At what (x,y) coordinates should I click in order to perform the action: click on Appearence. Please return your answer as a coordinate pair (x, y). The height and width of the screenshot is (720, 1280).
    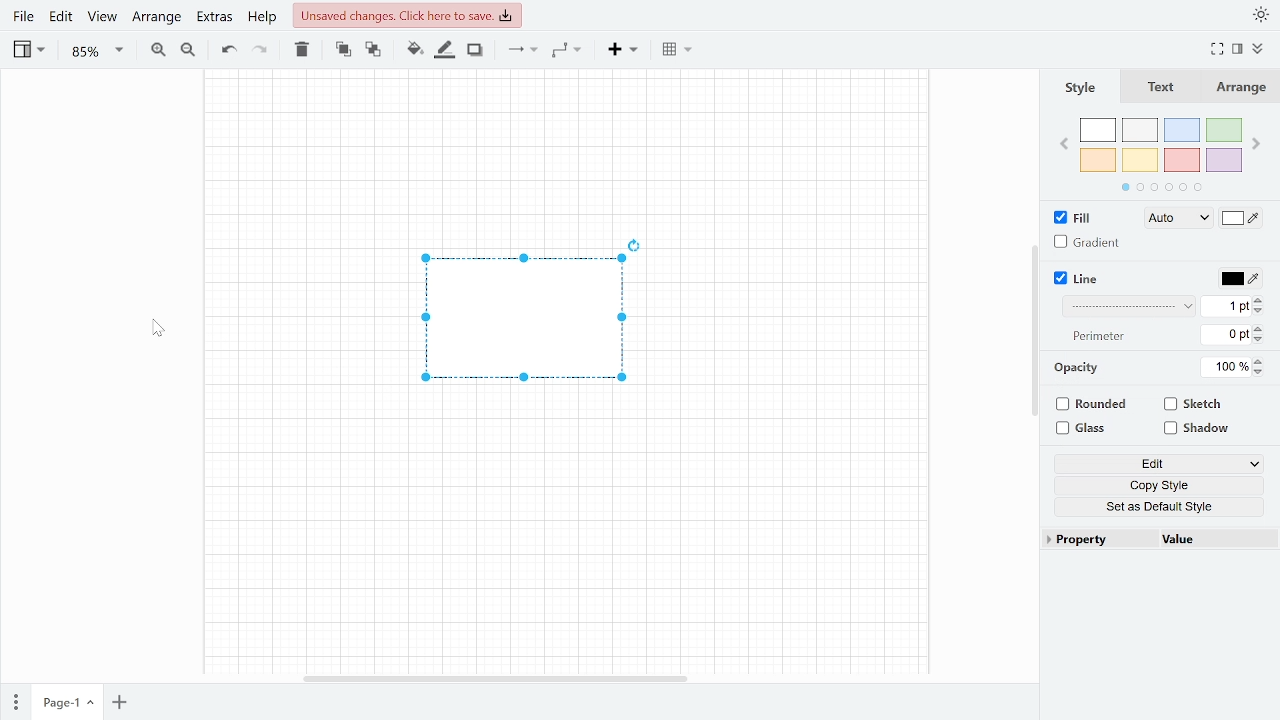
    Looking at the image, I should click on (1262, 13).